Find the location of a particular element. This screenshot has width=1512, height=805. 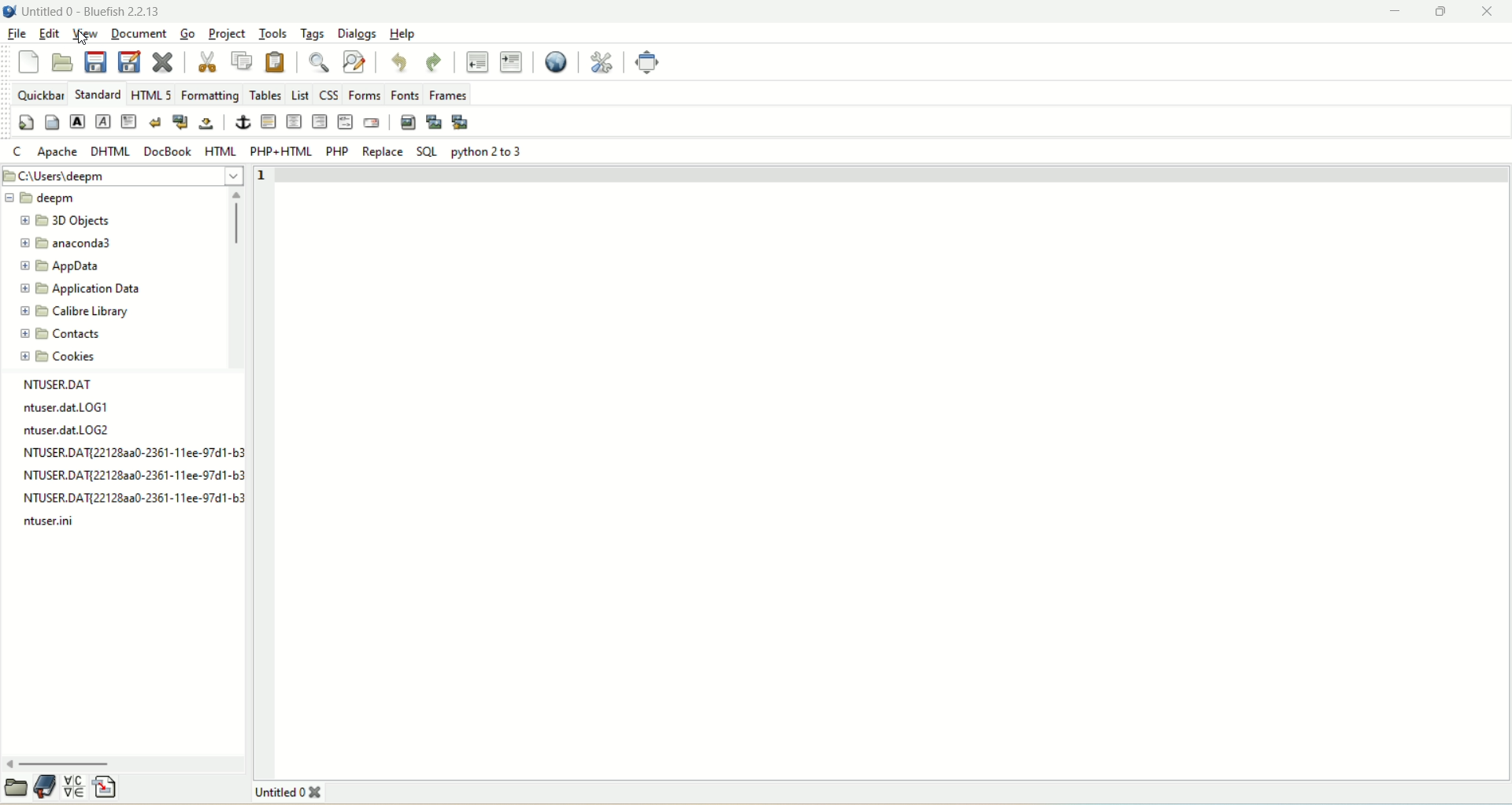

DHTML is located at coordinates (113, 151).